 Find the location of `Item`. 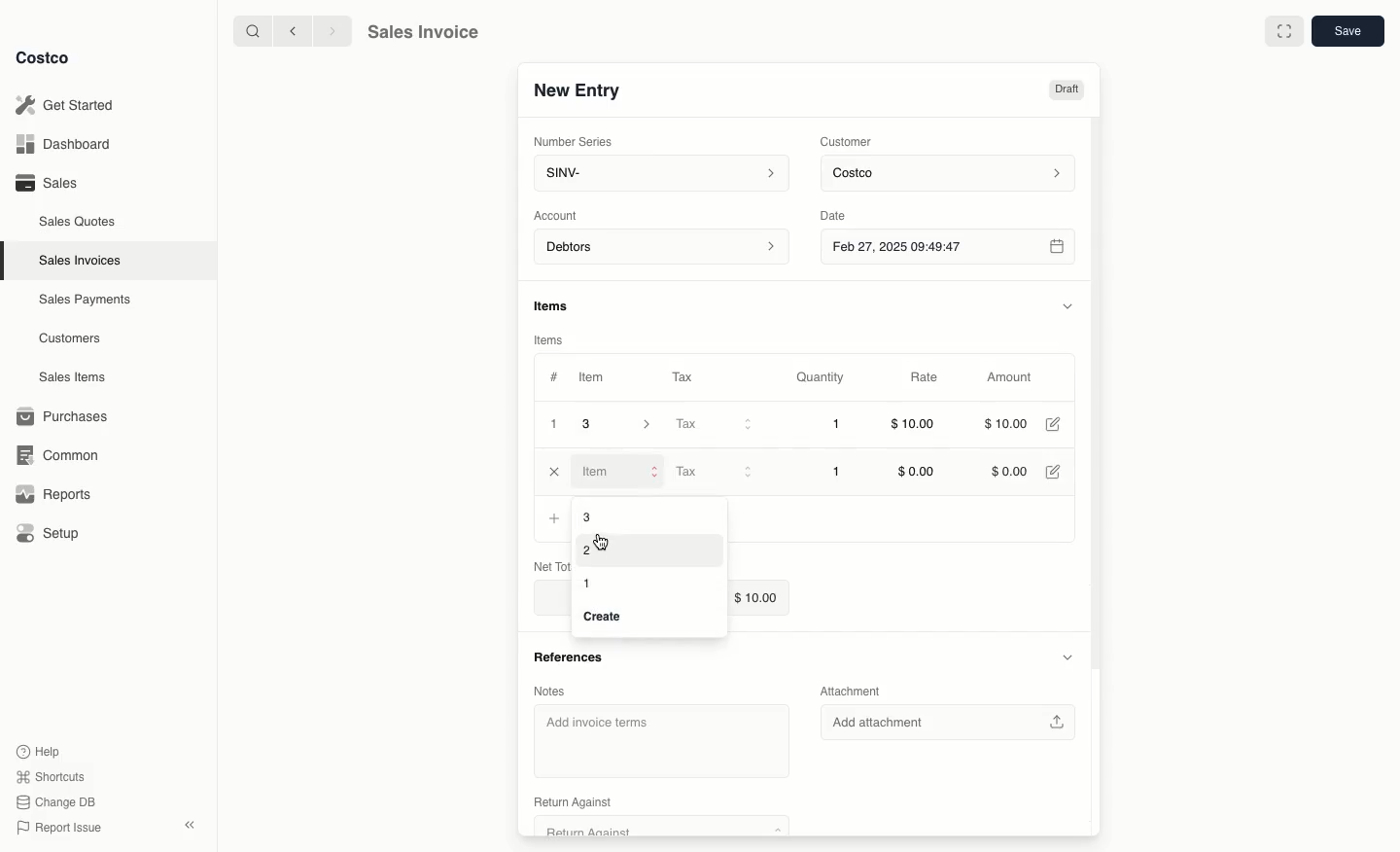

Item is located at coordinates (593, 376).